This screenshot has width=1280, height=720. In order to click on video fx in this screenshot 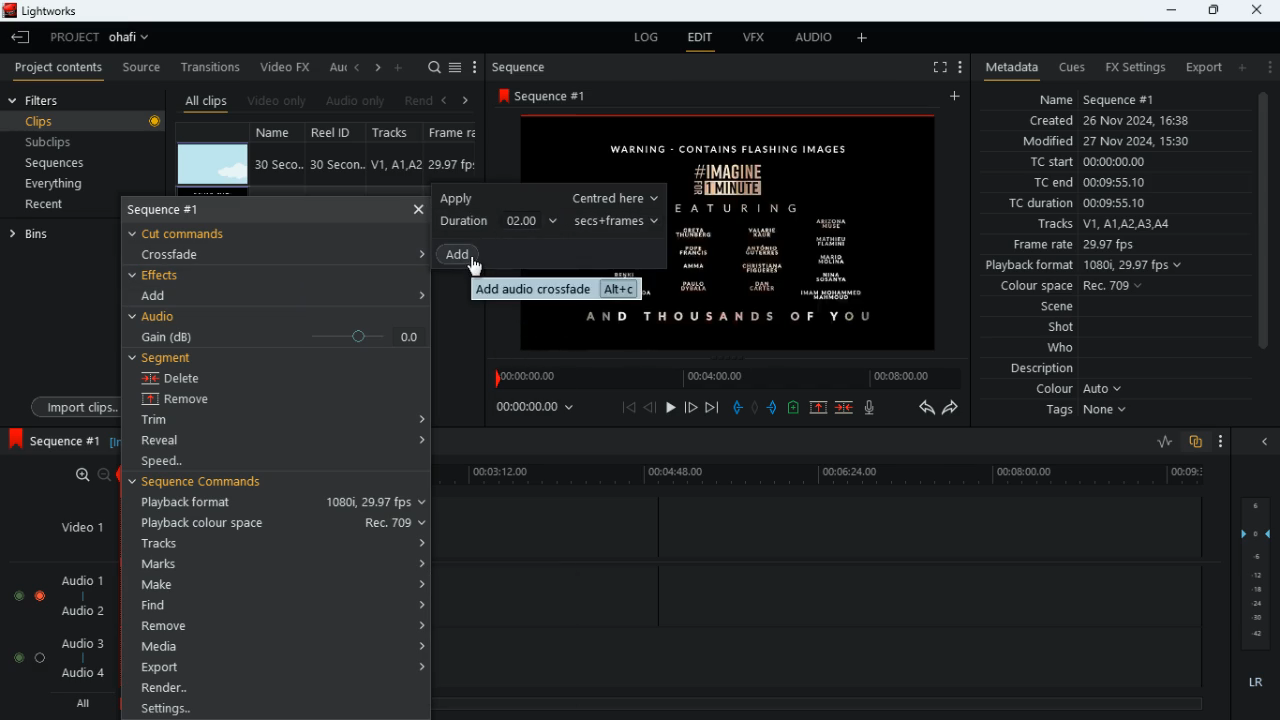, I will do `click(286, 68)`.